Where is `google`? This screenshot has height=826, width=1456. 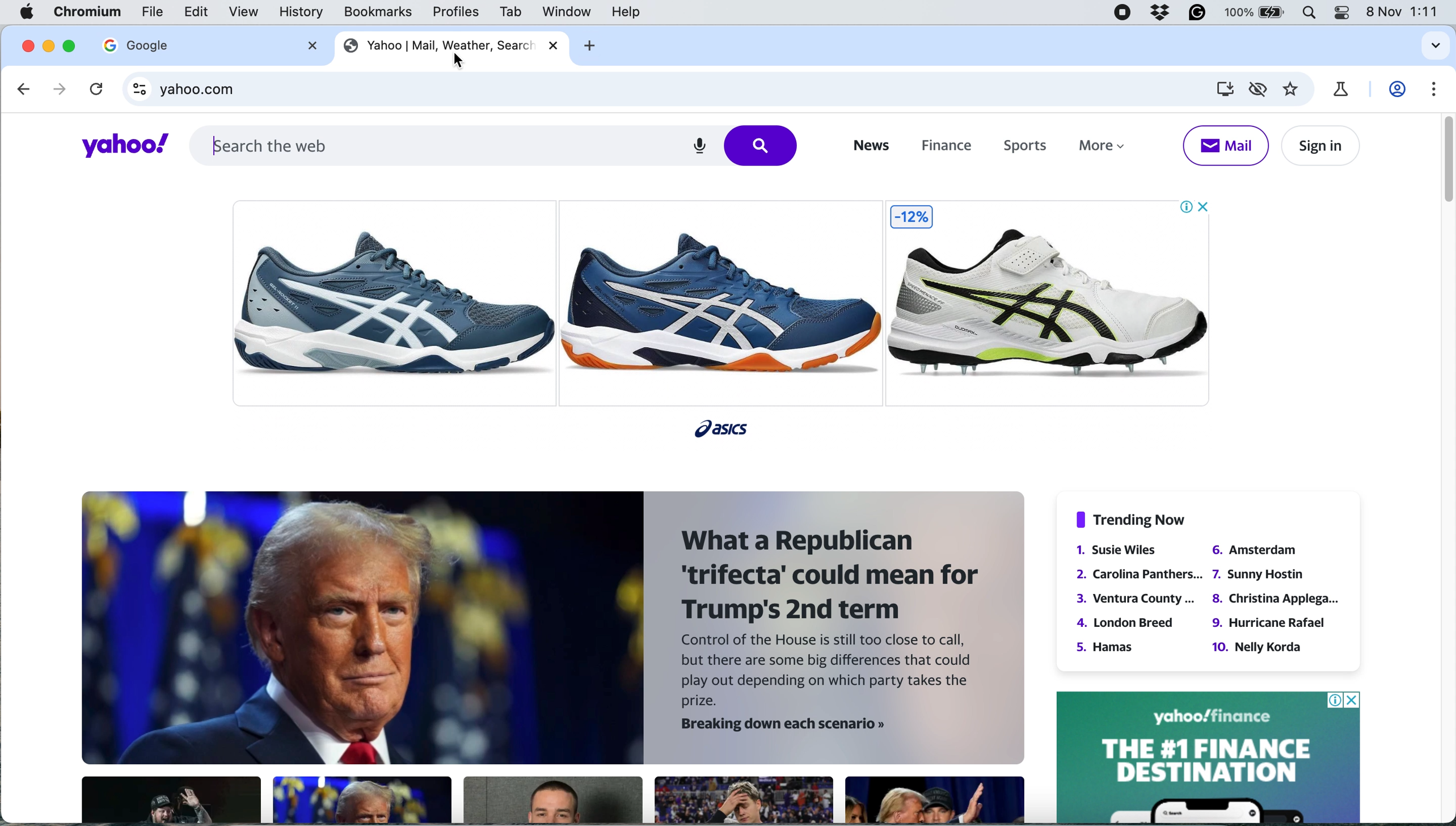 google is located at coordinates (136, 45).